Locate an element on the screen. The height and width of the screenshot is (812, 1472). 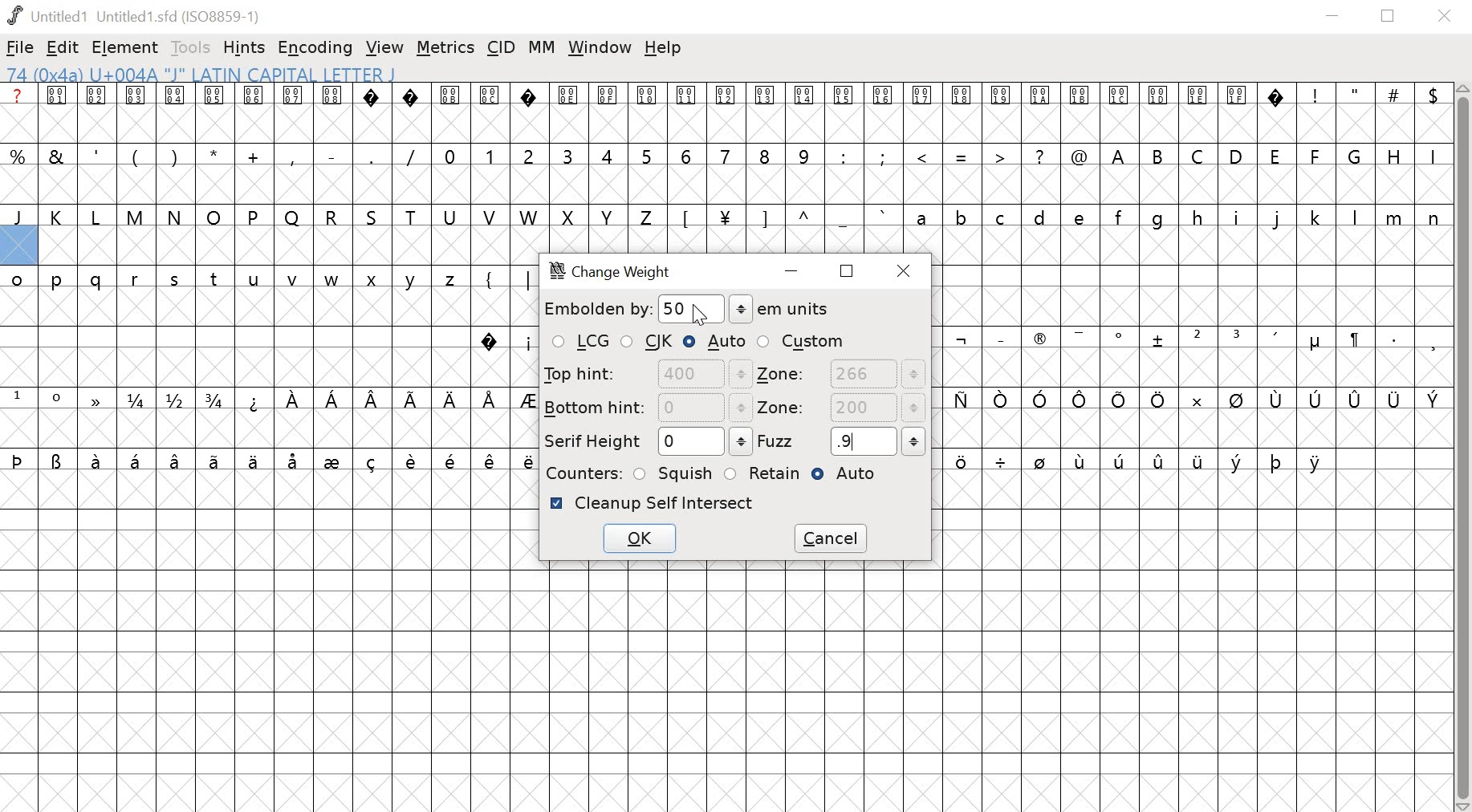
HINTS is located at coordinates (246, 49).